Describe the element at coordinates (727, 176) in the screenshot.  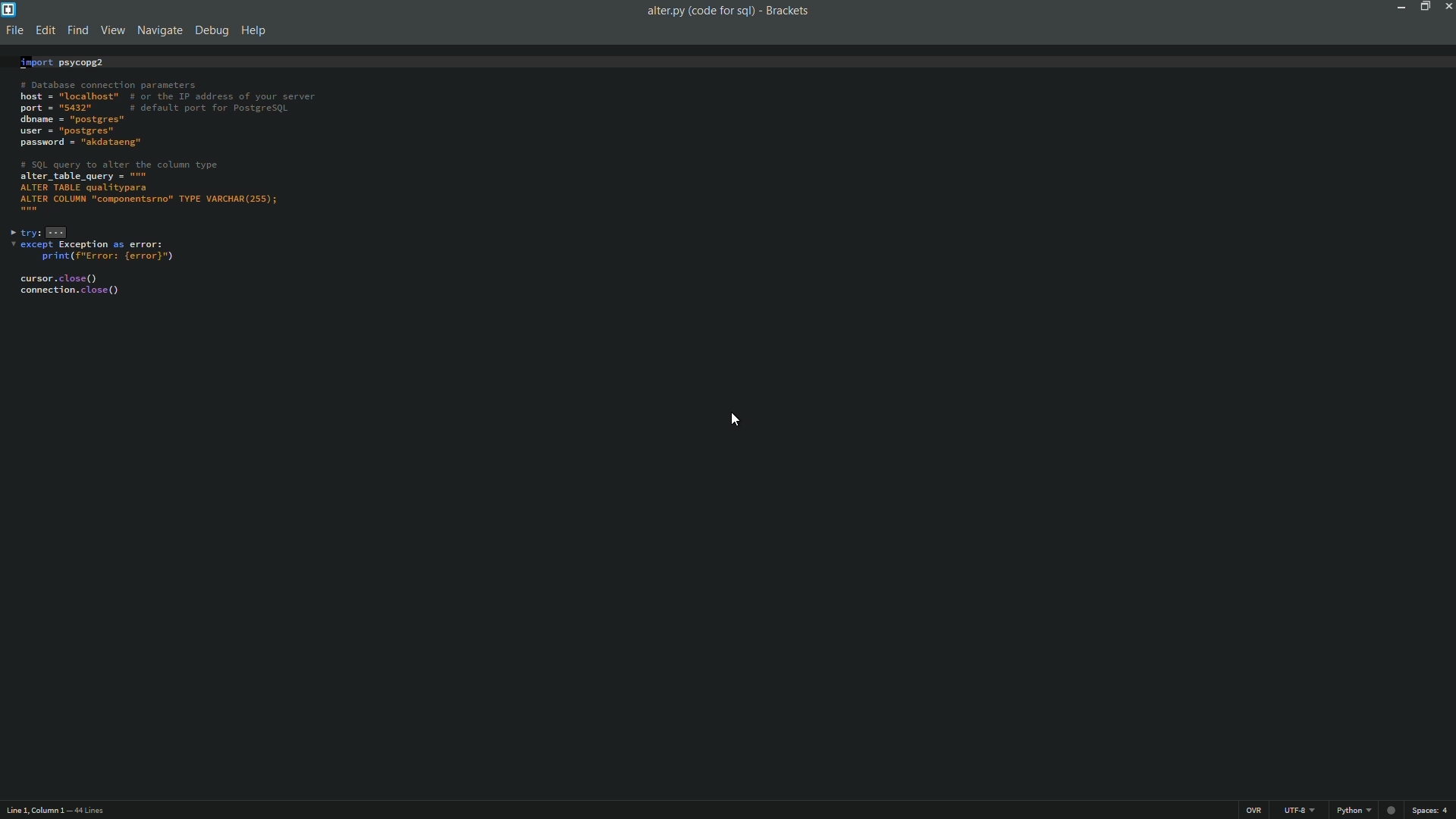
I see `import psycopg2 # Database connection parameters host = "localhost” or the IP address of your server port = "5432" # default port for PostgreSQL dbname = "postgres" user = “postgres” pueblo EY. SQL query to alter the column type alter_table_query =" ALTER TABLE qualitypara ALTER COLUMN "componentsrno® TYPE VARCHAR (255) > try: [EH * except Exception as error: print(f"error: {error}") cursor. close() connection. close()` at that location.